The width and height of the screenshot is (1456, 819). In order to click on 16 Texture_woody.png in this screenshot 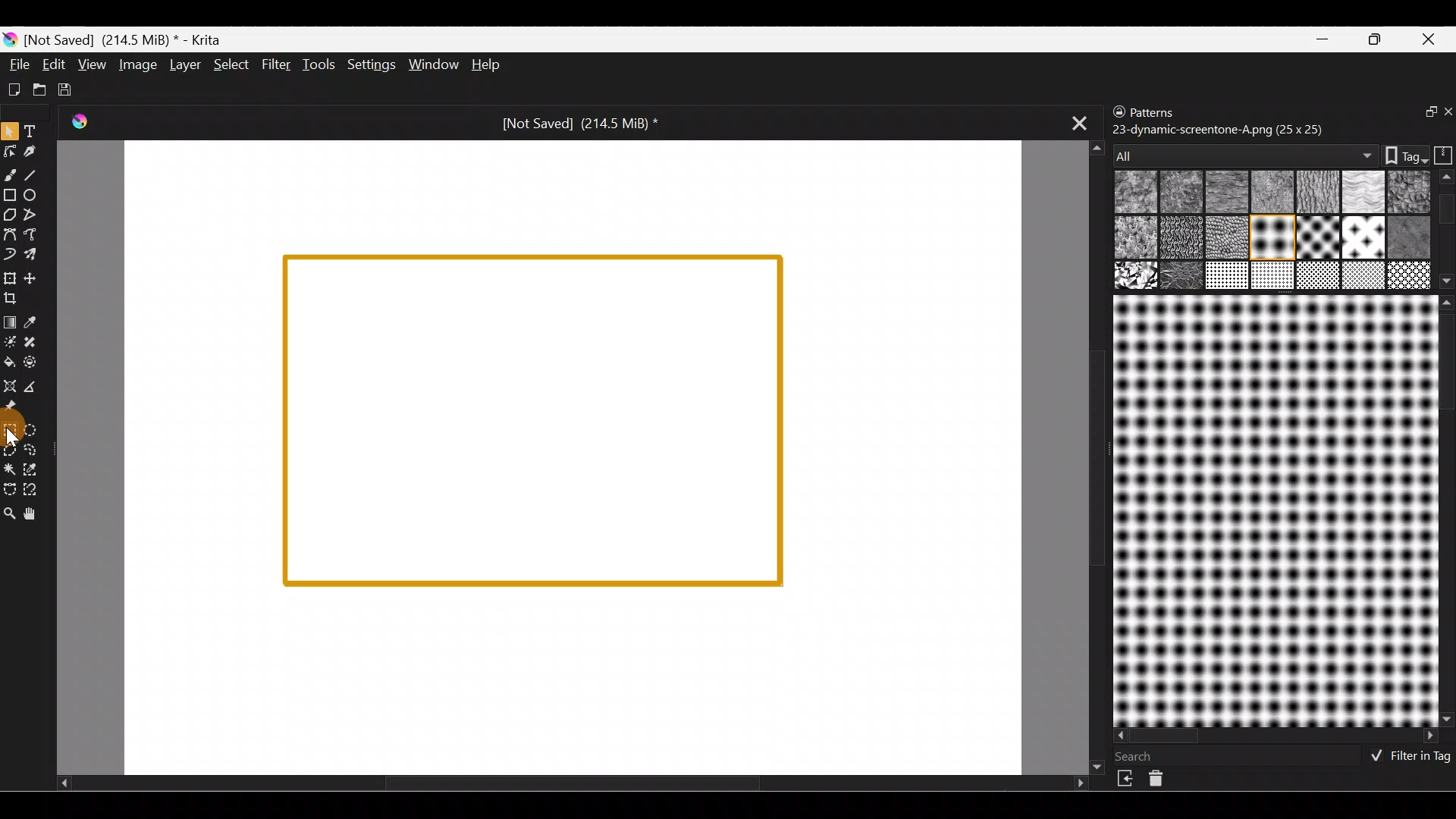, I will do `click(1228, 277)`.